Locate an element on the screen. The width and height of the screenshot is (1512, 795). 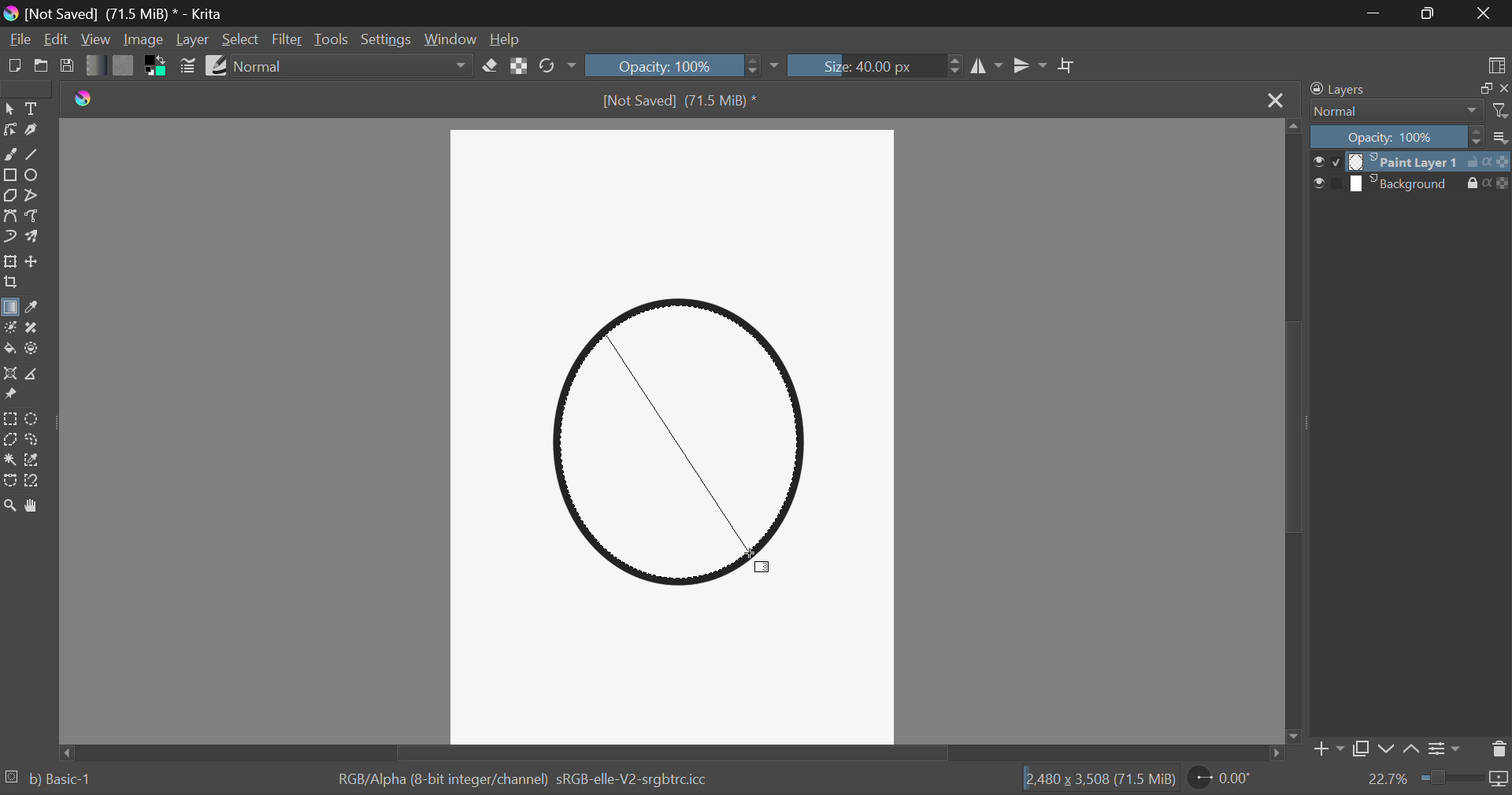
Select is located at coordinates (10, 109).